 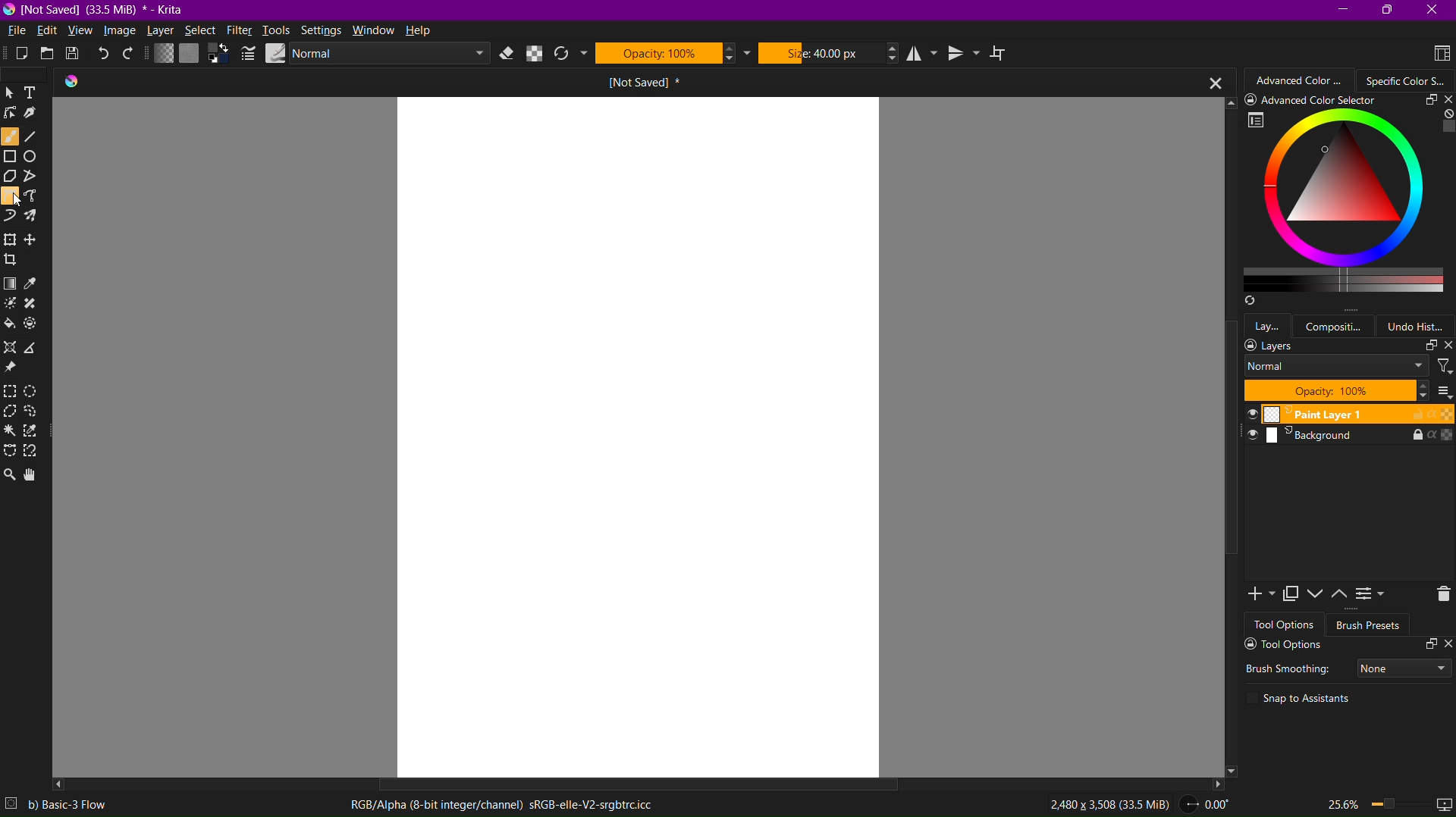 I want to click on Undo History, so click(x=1420, y=326).